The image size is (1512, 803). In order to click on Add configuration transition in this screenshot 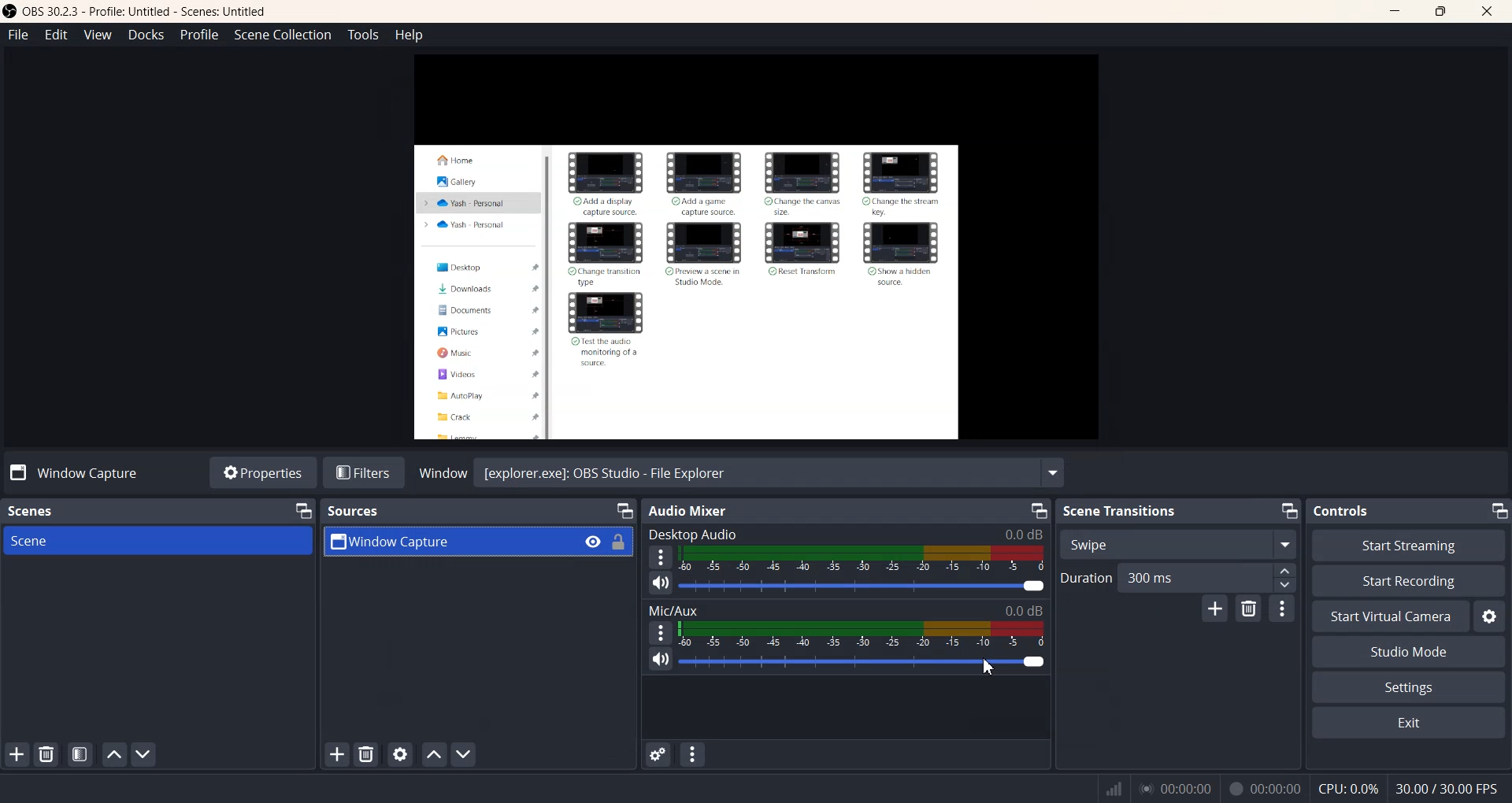, I will do `click(1215, 609)`.